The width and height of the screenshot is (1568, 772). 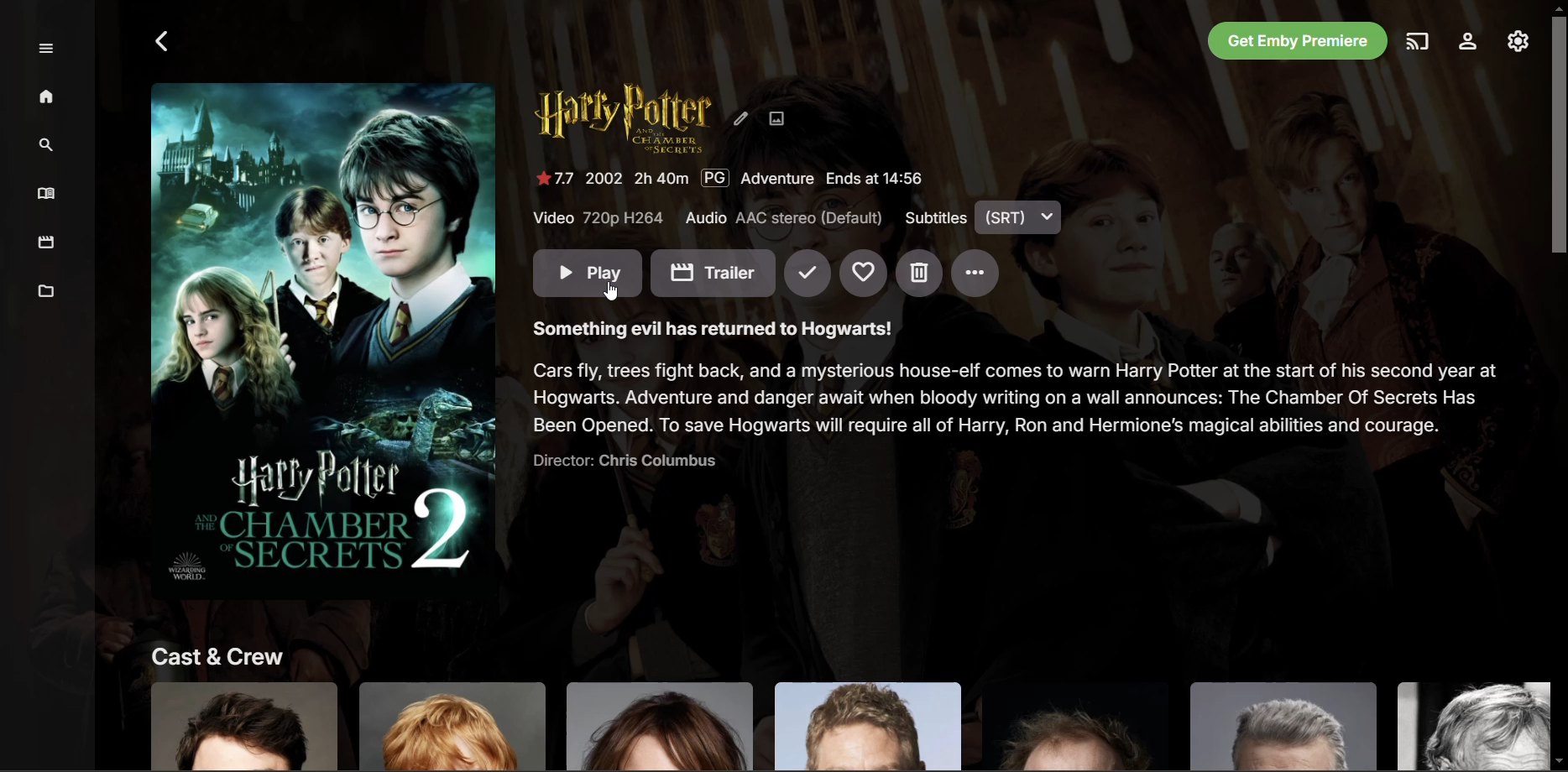 I want to click on Add to Favorites, so click(x=865, y=274).